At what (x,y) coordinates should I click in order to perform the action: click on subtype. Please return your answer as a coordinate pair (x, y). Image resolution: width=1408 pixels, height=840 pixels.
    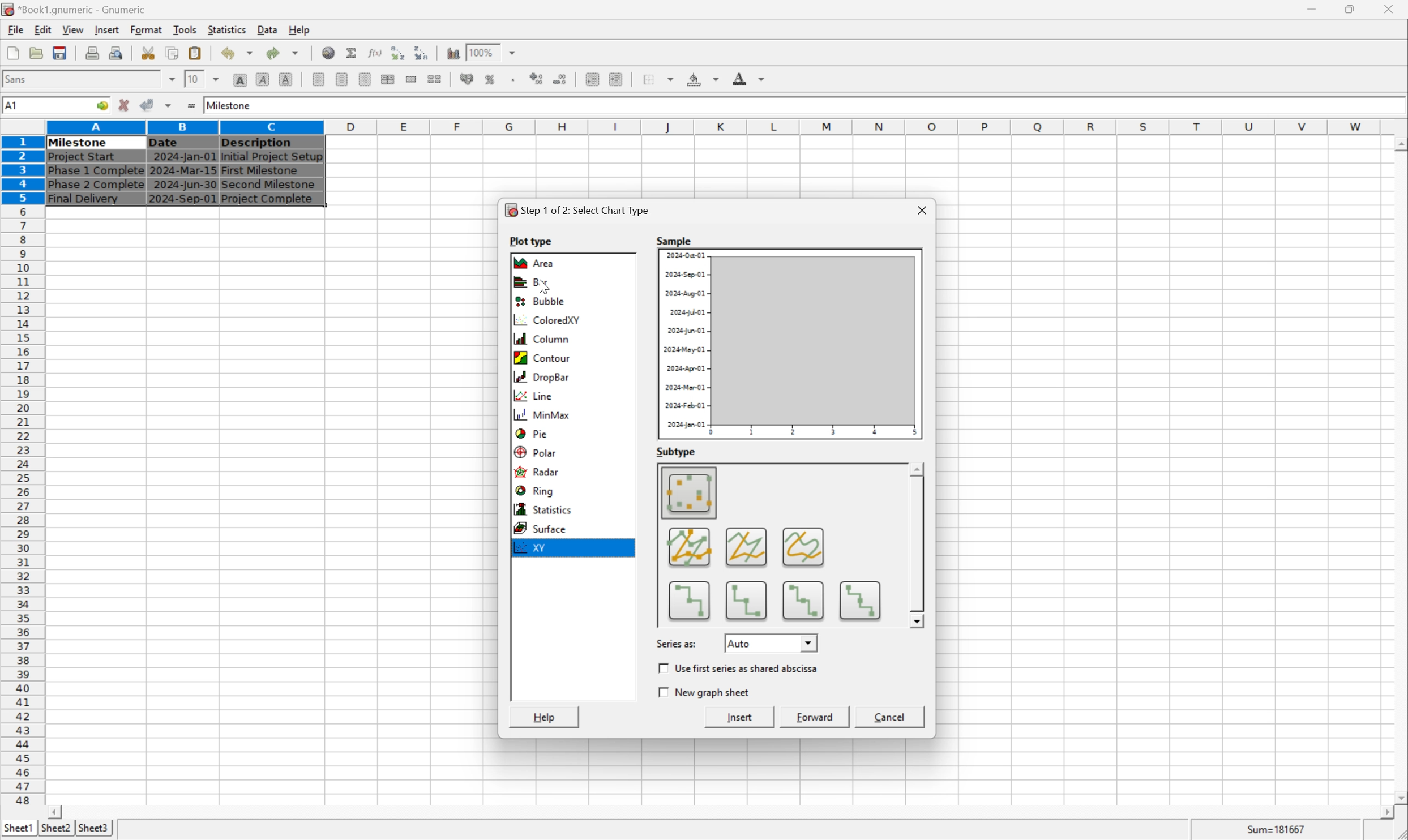
    Looking at the image, I should click on (677, 452).